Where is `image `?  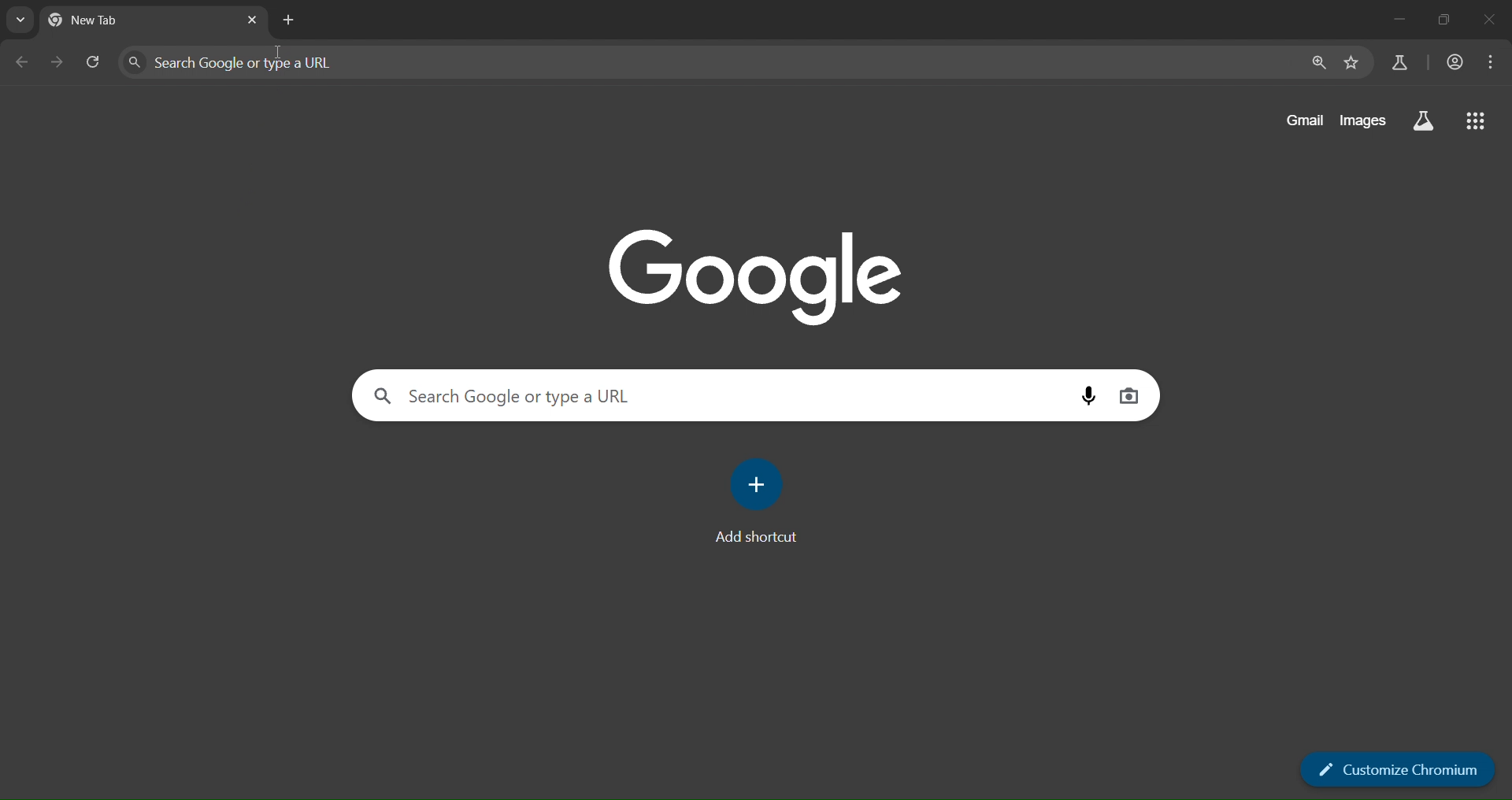
image  is located at coordinates (757, 272).